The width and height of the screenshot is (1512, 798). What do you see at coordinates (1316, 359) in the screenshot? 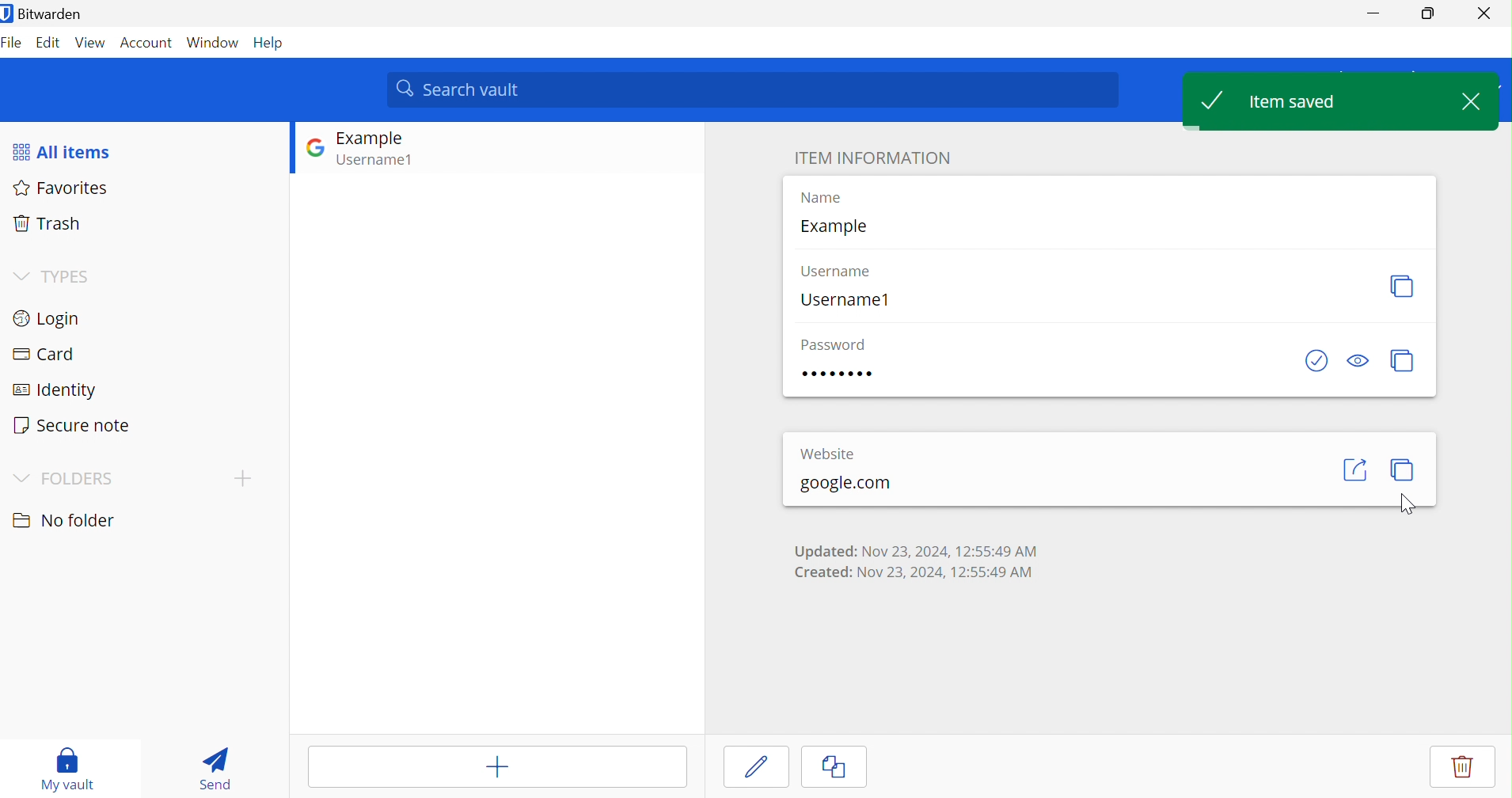
I see `Check if password has been exposed` at bounding box center [1316, 359].